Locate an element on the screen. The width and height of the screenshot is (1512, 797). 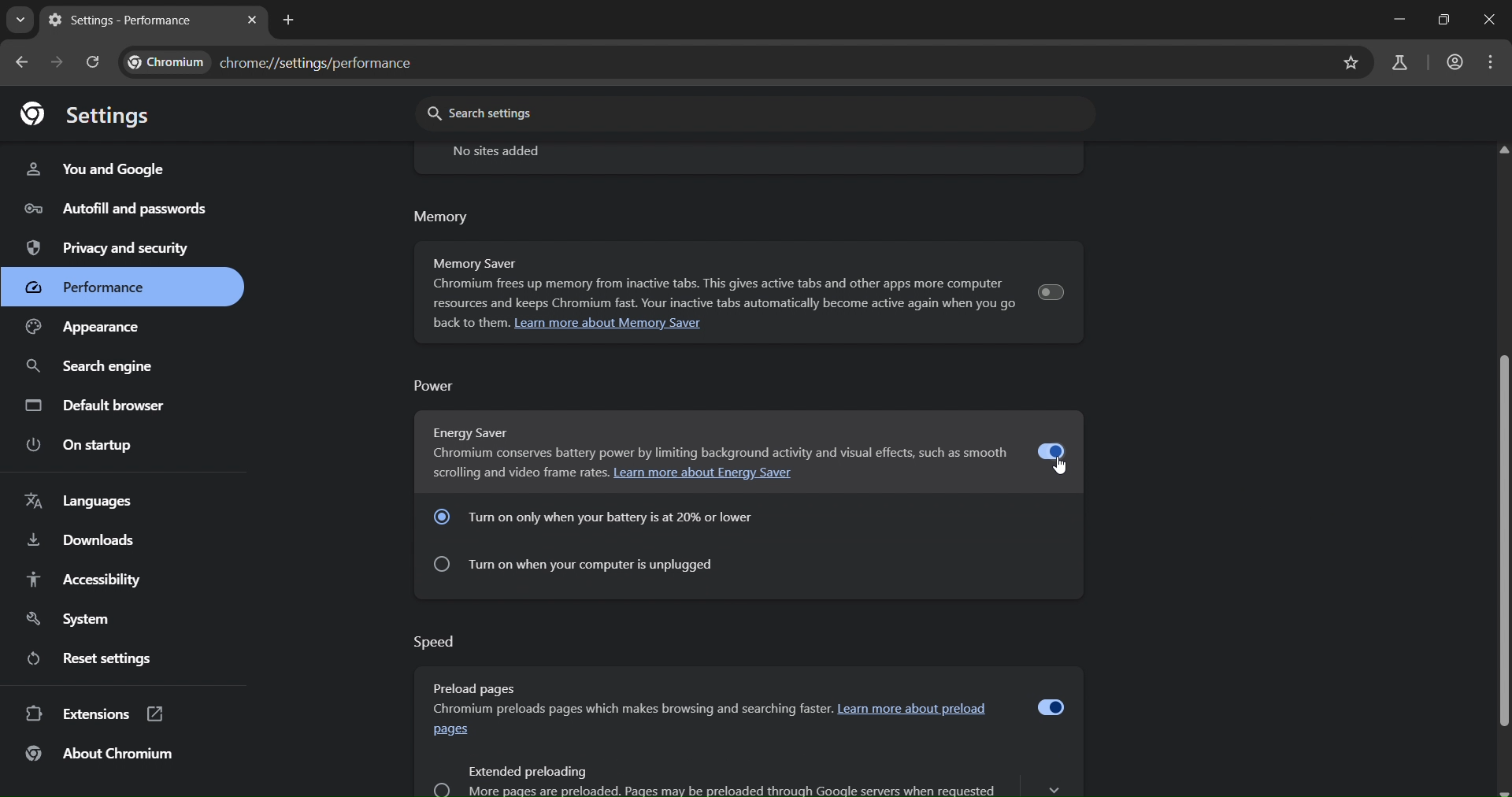
privacy and security is located at coordinates (115, 247).